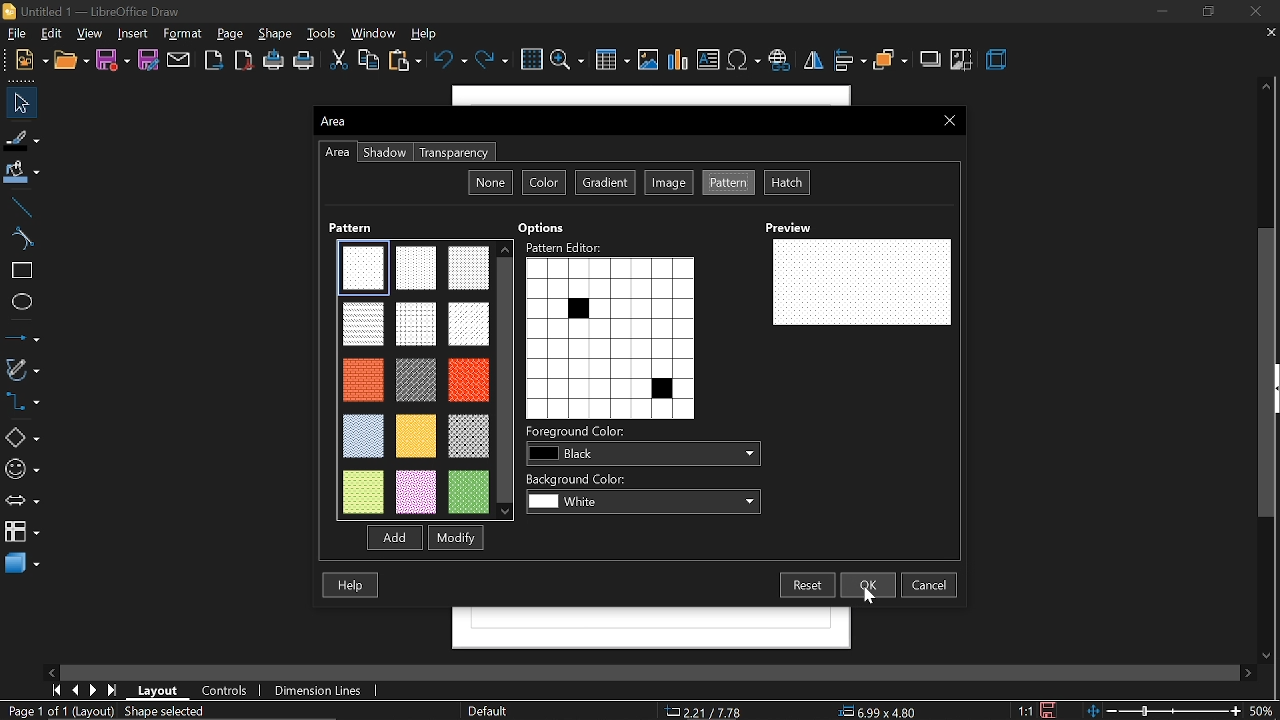  I want to click on zoom, so click(567, 60).